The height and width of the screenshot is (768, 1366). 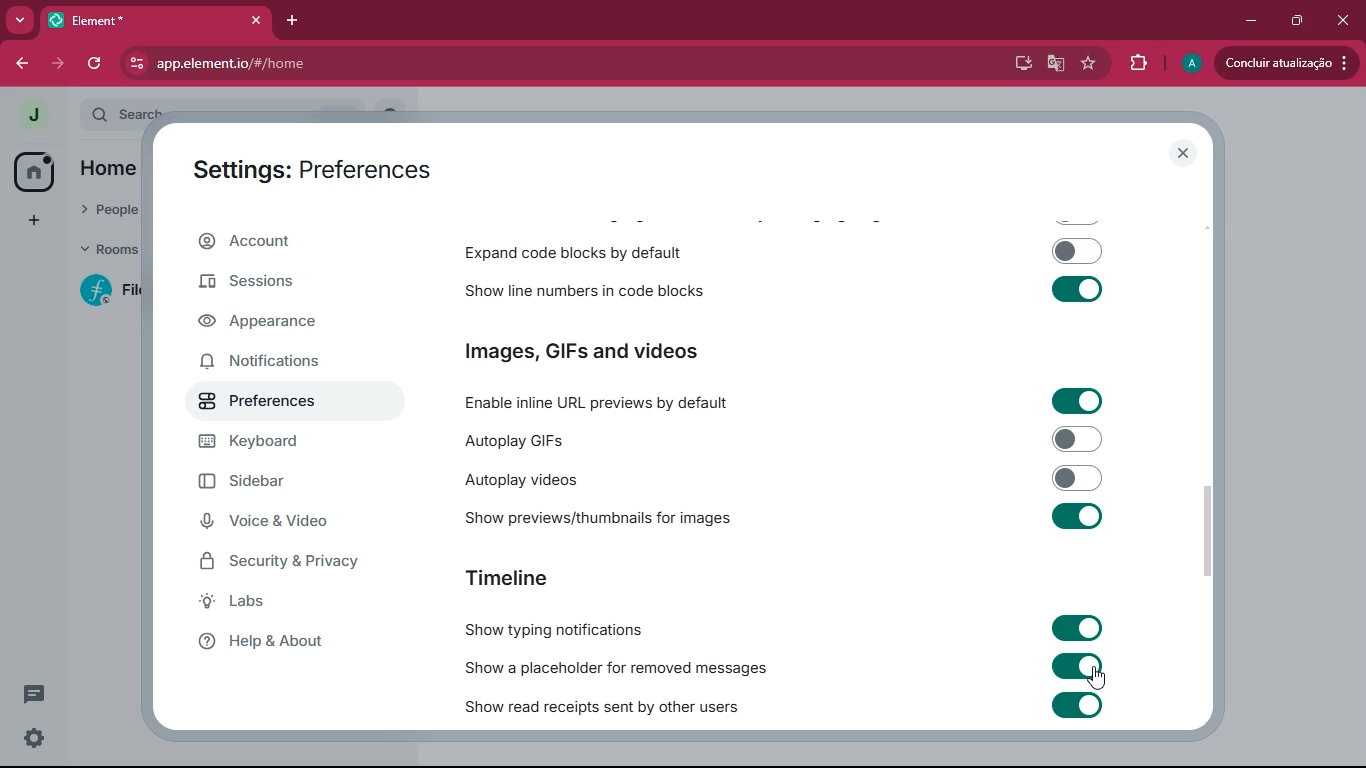 What do you see at coordinates (610, 353) in the screenshot?
I see `images, GIFs and videos` at bounding box center [610, 353].